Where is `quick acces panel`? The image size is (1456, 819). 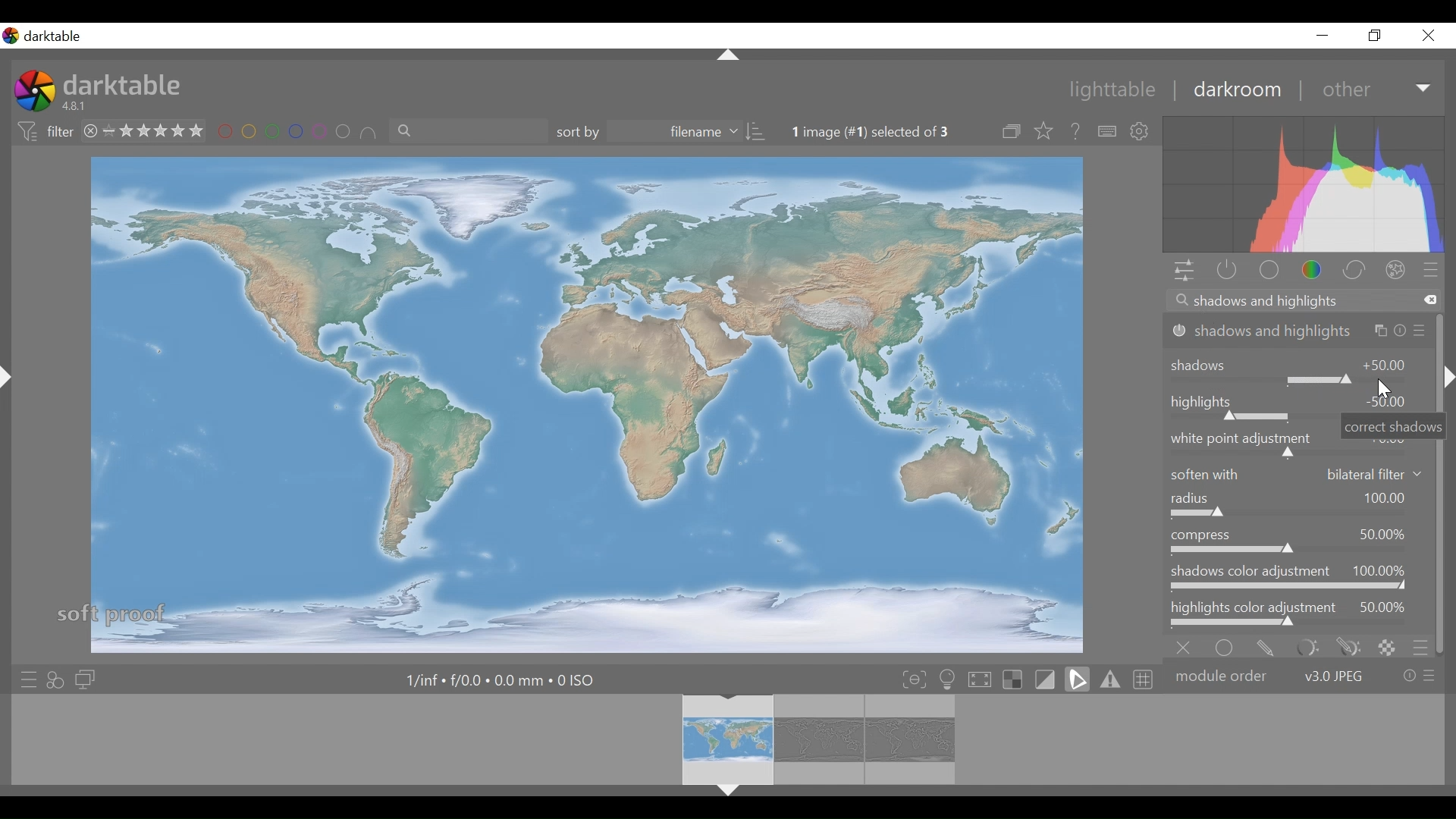 quick acces panel is located at coordinates (1184, 271).